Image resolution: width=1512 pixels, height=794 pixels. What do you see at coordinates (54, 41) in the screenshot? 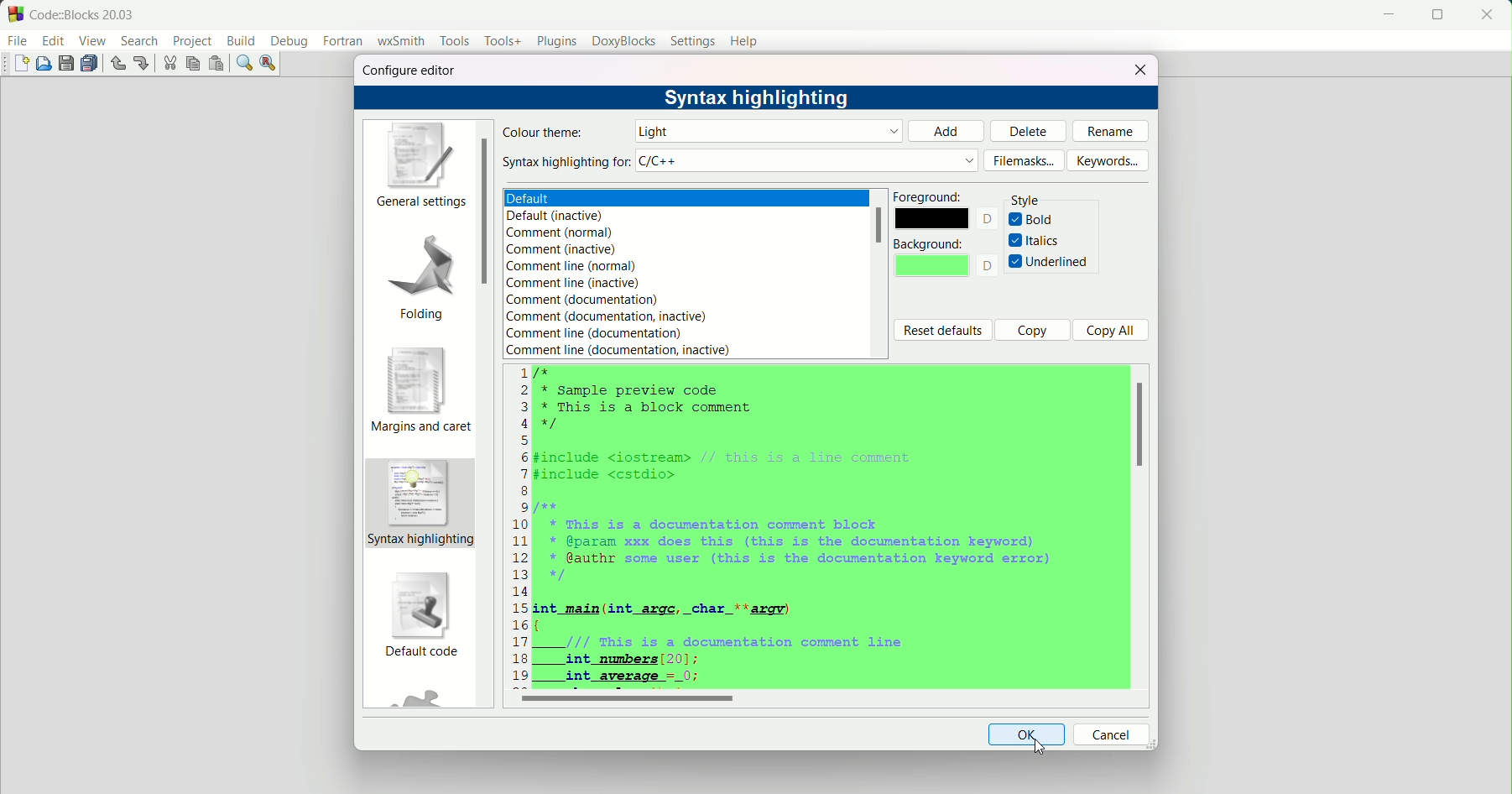
I see `edit` at bounding box center [54, 41].